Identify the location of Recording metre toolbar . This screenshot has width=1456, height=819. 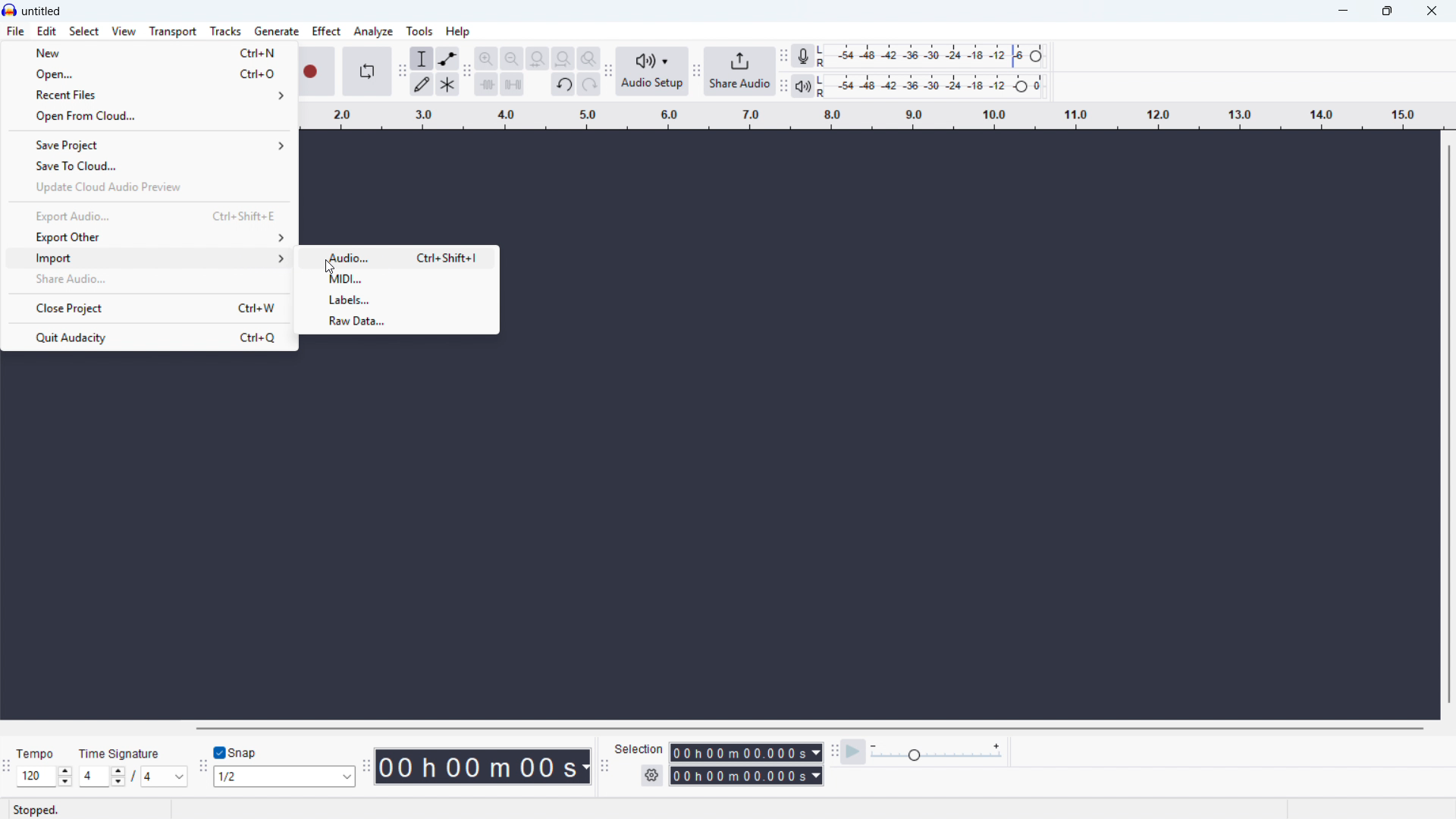
(784, 56).